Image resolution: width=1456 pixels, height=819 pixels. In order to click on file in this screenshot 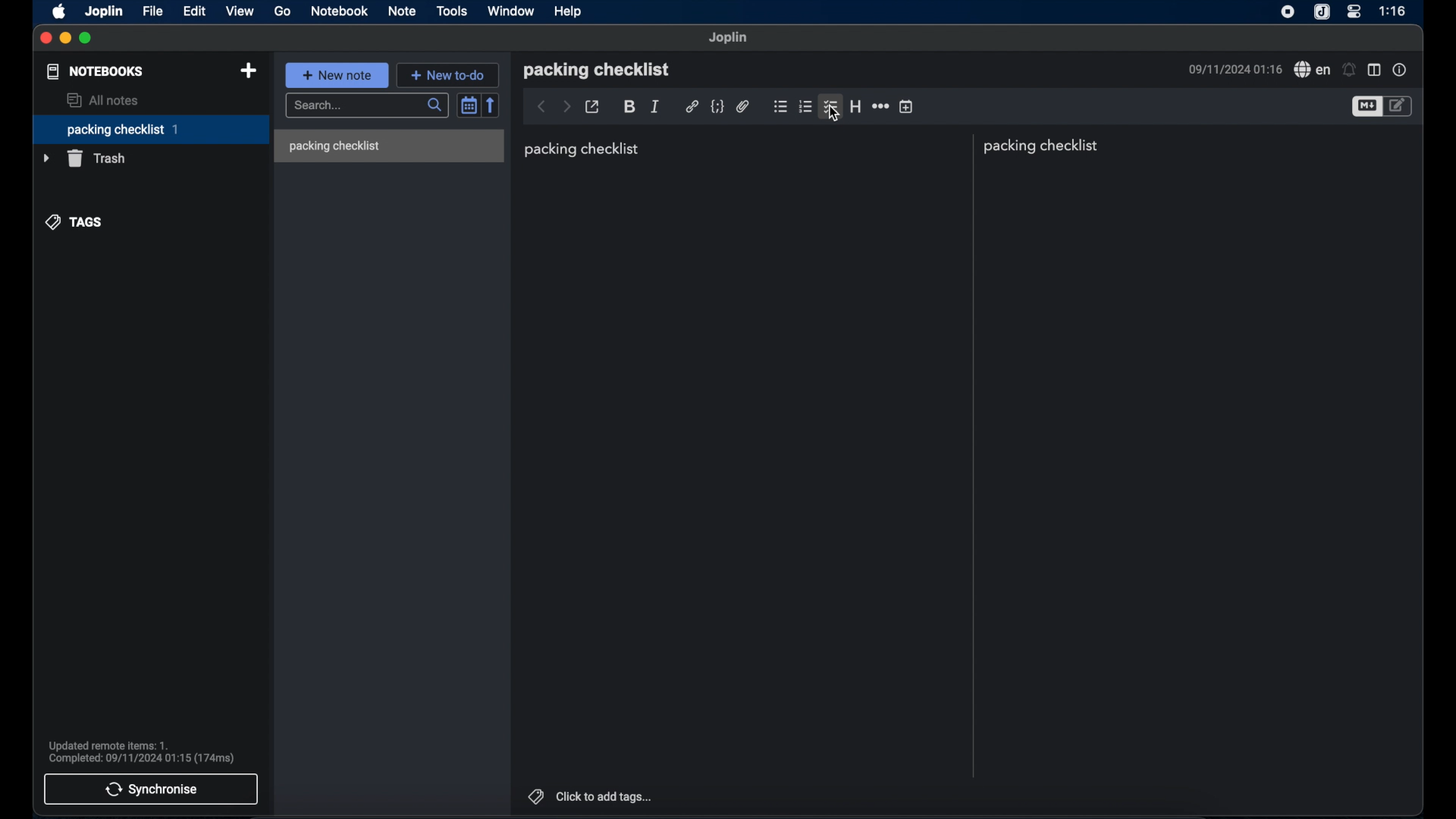, I will do `click(154, 11)`.